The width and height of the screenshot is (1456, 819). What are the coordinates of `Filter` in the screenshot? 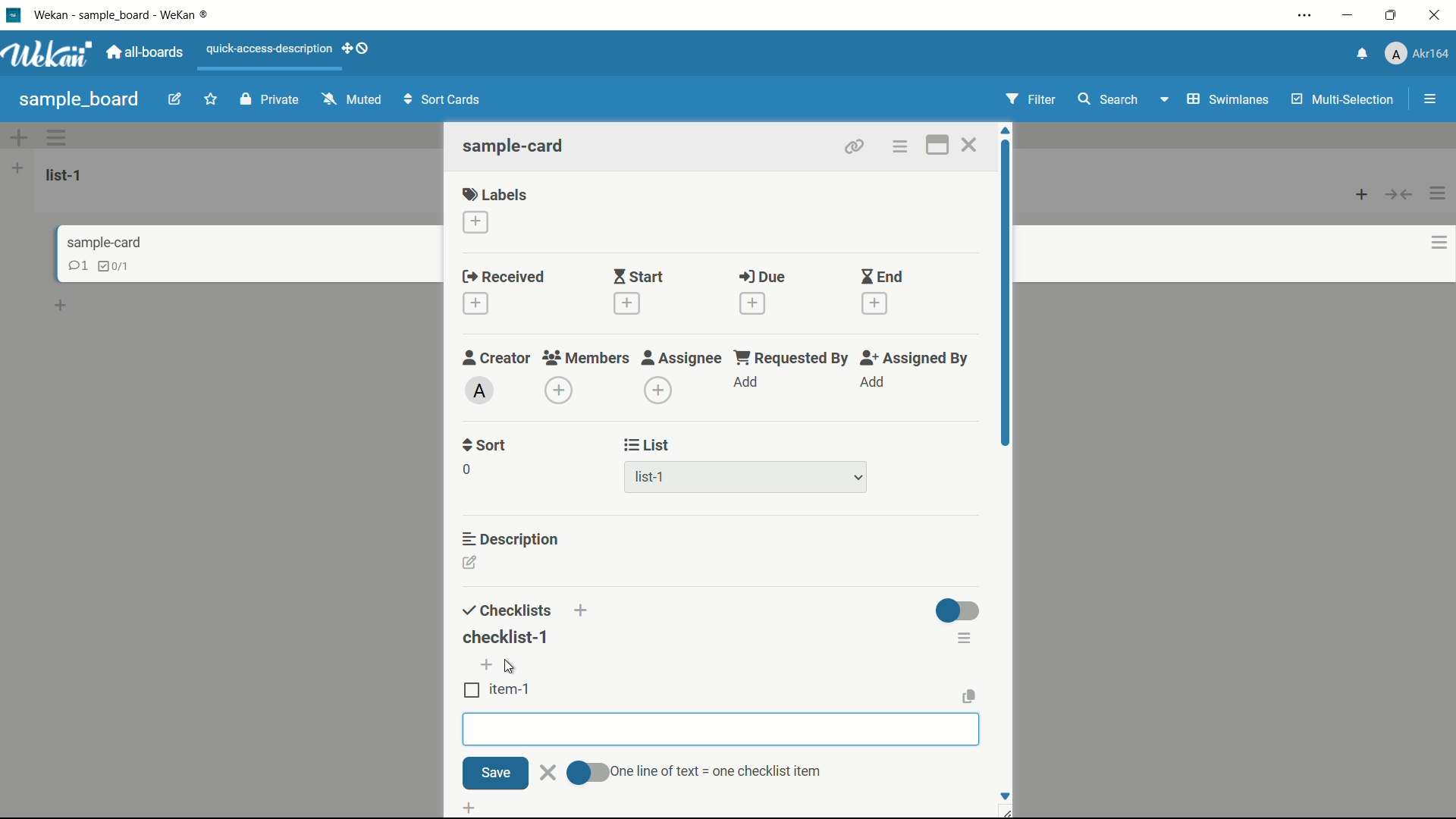 It's located at (1031, 101).